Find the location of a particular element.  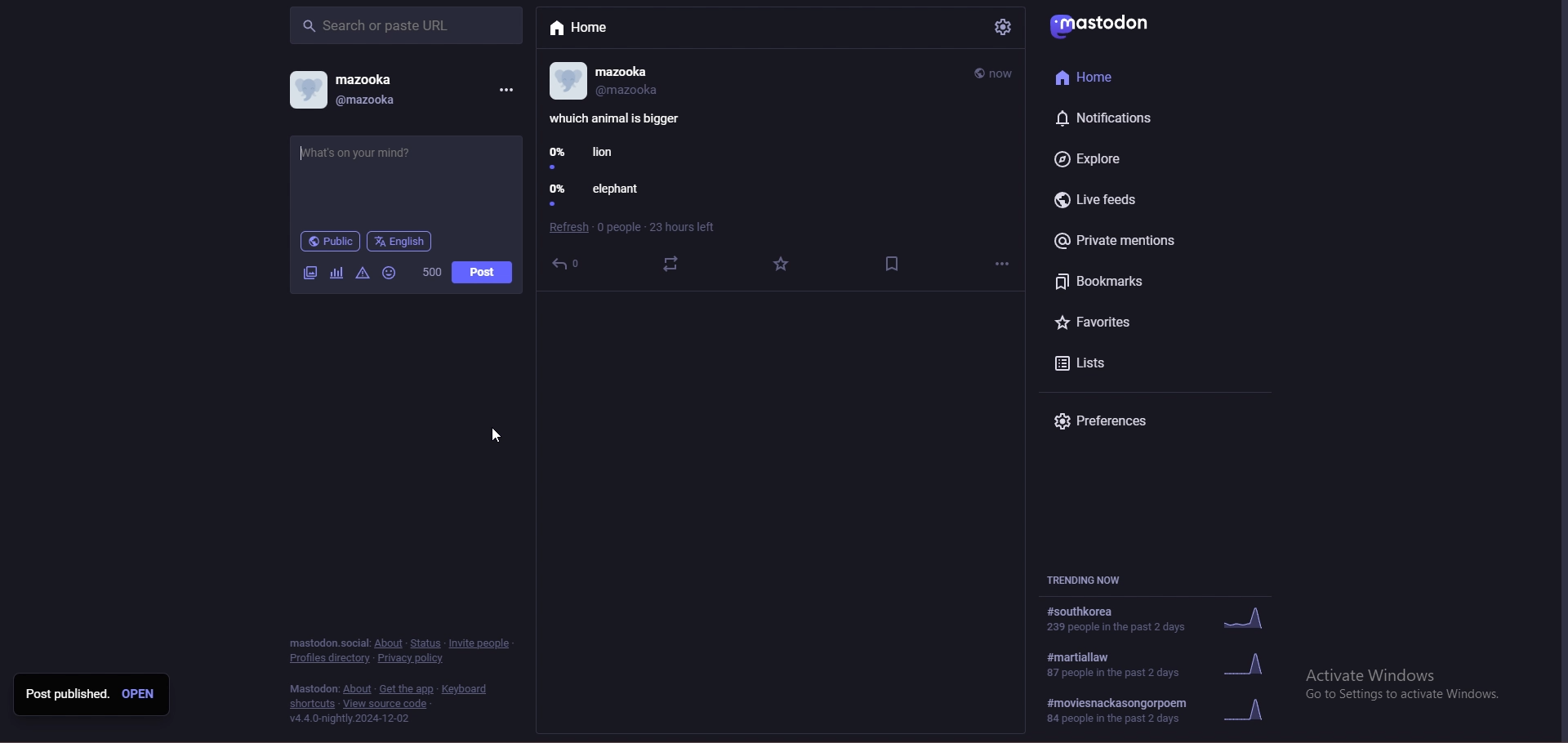

@mazooka is located at coordinates (631, 90).